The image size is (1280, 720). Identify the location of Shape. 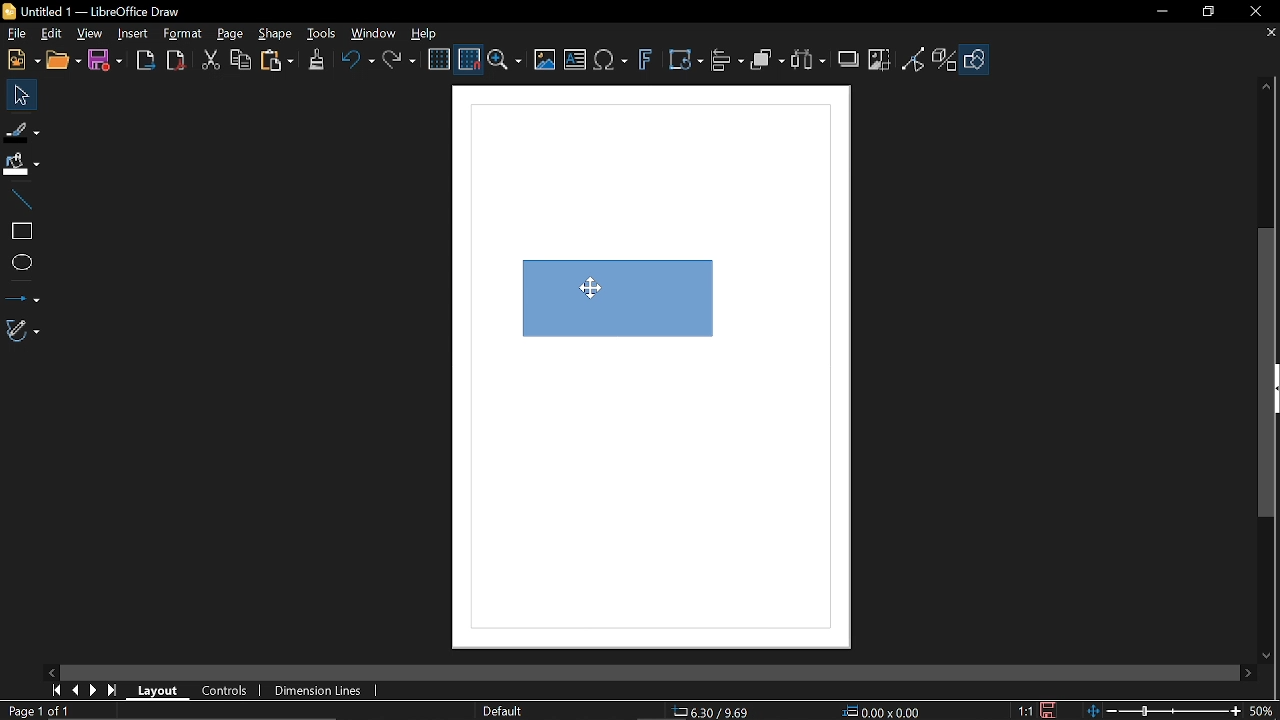
(977, 63).